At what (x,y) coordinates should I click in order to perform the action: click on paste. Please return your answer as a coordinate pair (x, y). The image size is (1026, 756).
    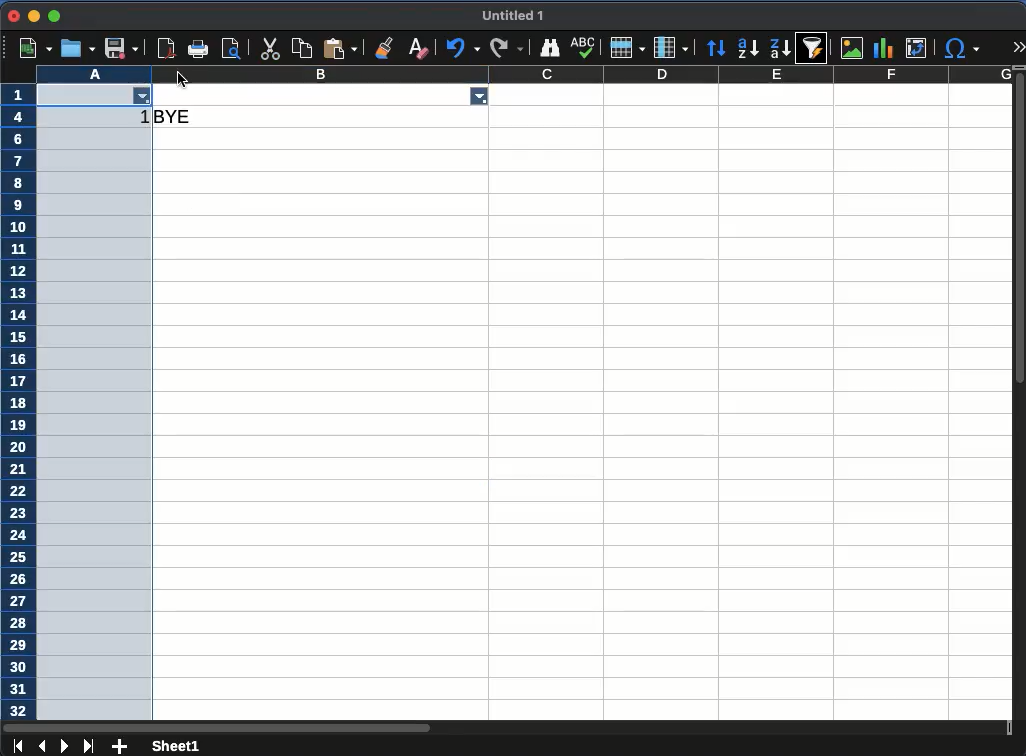
    Looking at the image, I should click on (340, 48).